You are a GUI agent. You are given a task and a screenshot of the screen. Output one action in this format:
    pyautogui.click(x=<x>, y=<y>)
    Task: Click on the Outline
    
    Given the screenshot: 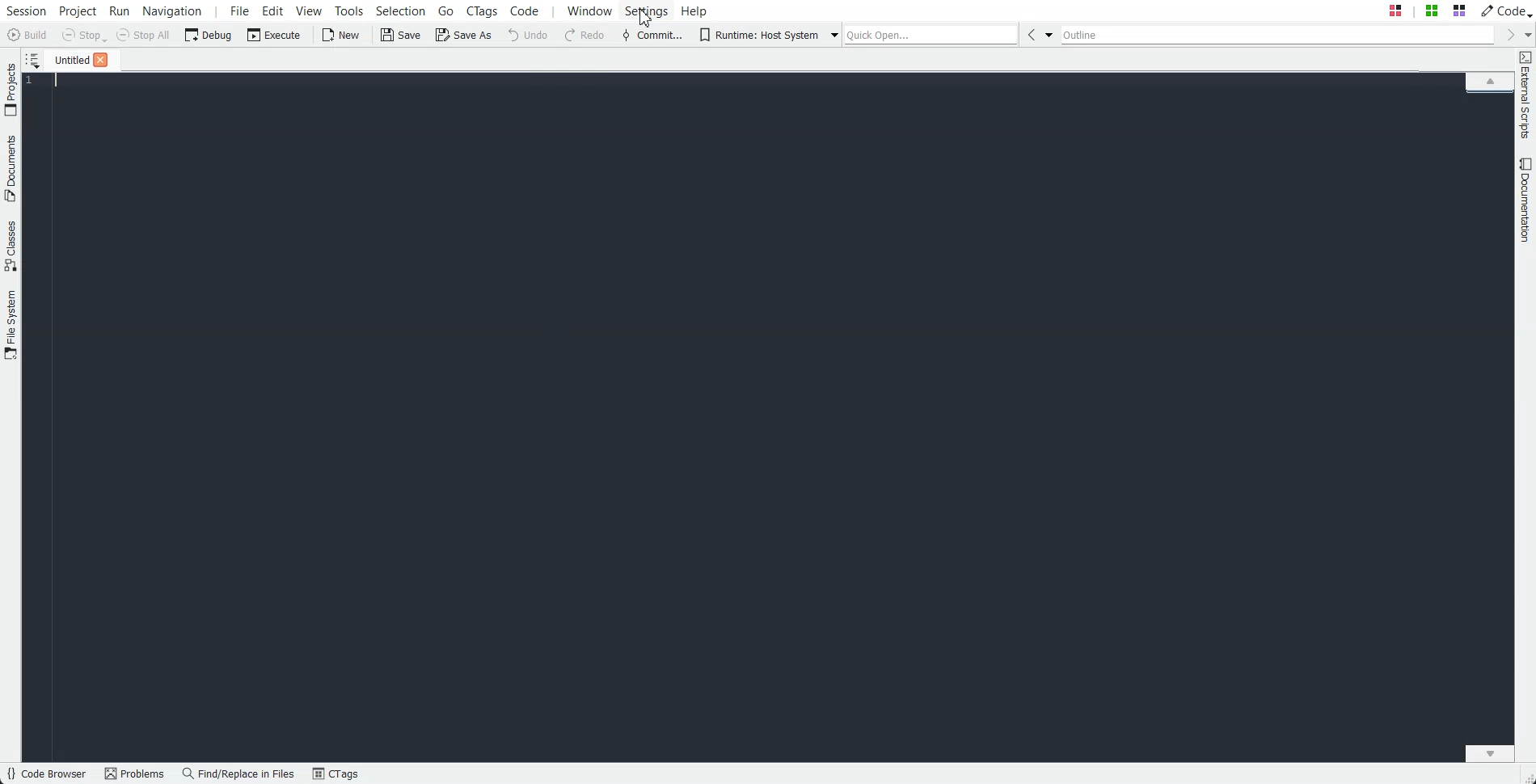 What is the action you would take?
    pyautogui.click(x=1278, y=35)
    